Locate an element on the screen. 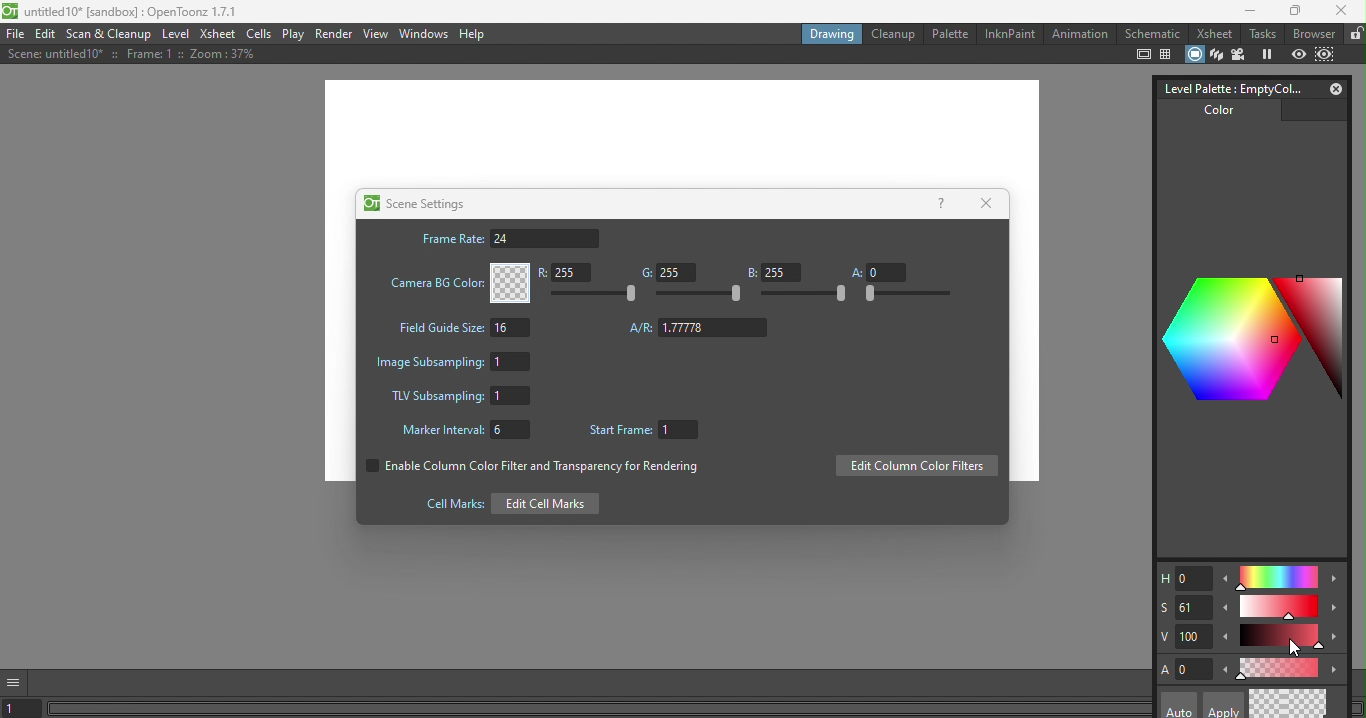  V is located at coordinates (1185, 637).